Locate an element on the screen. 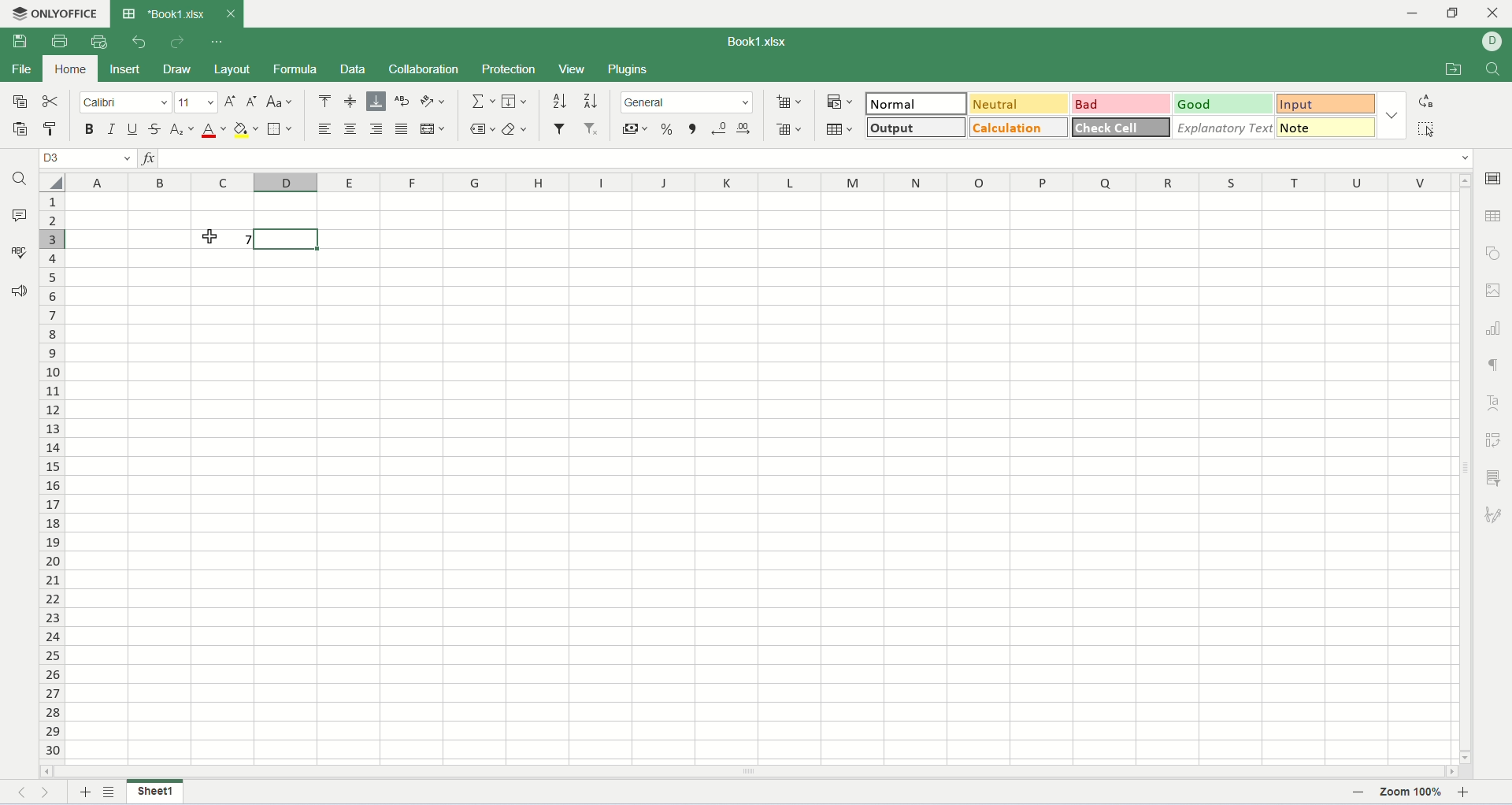 Image resolution: width=1512 pixels, height=805 pixels. italic is located at coordinates (110, 131).